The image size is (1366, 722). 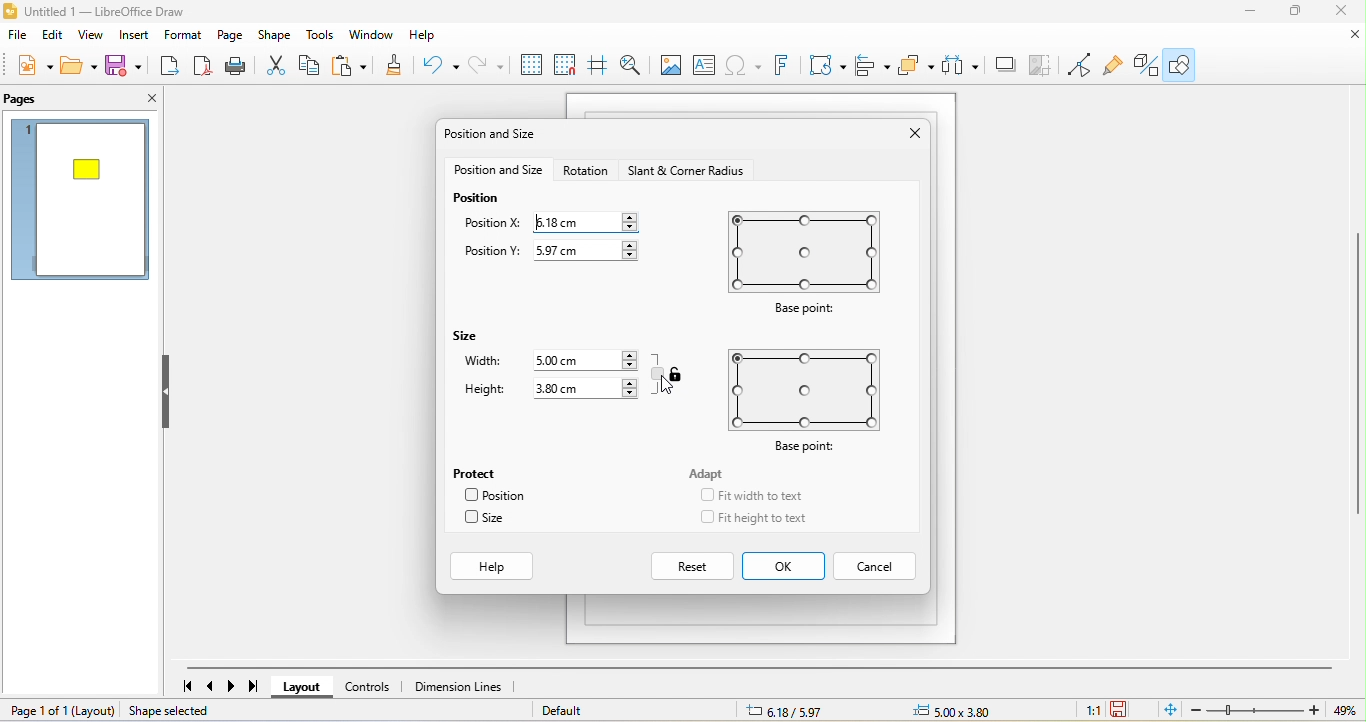 What do you see at coordinates (138, 35) in the screenshot?
I see `insert` at bounding box center [138, 35].